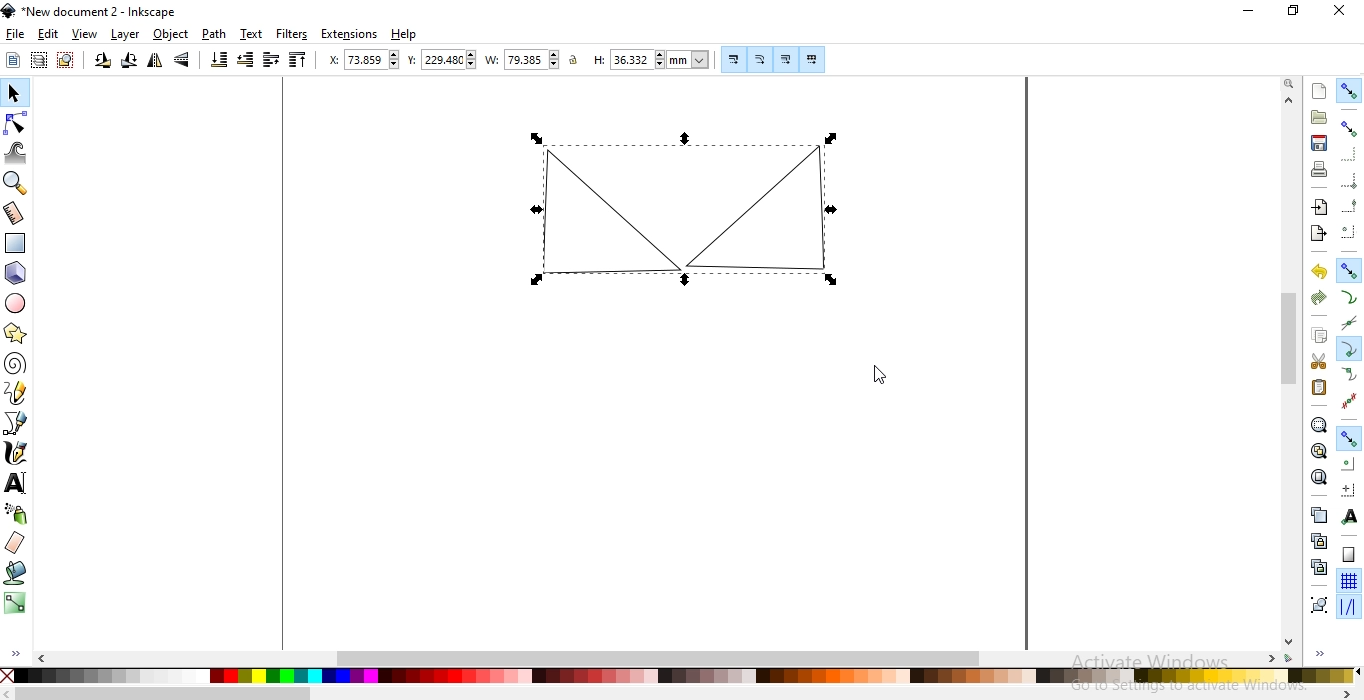 The height and width of the screenshot is (700, 1364). I want to click on object image, so click(684, 214).